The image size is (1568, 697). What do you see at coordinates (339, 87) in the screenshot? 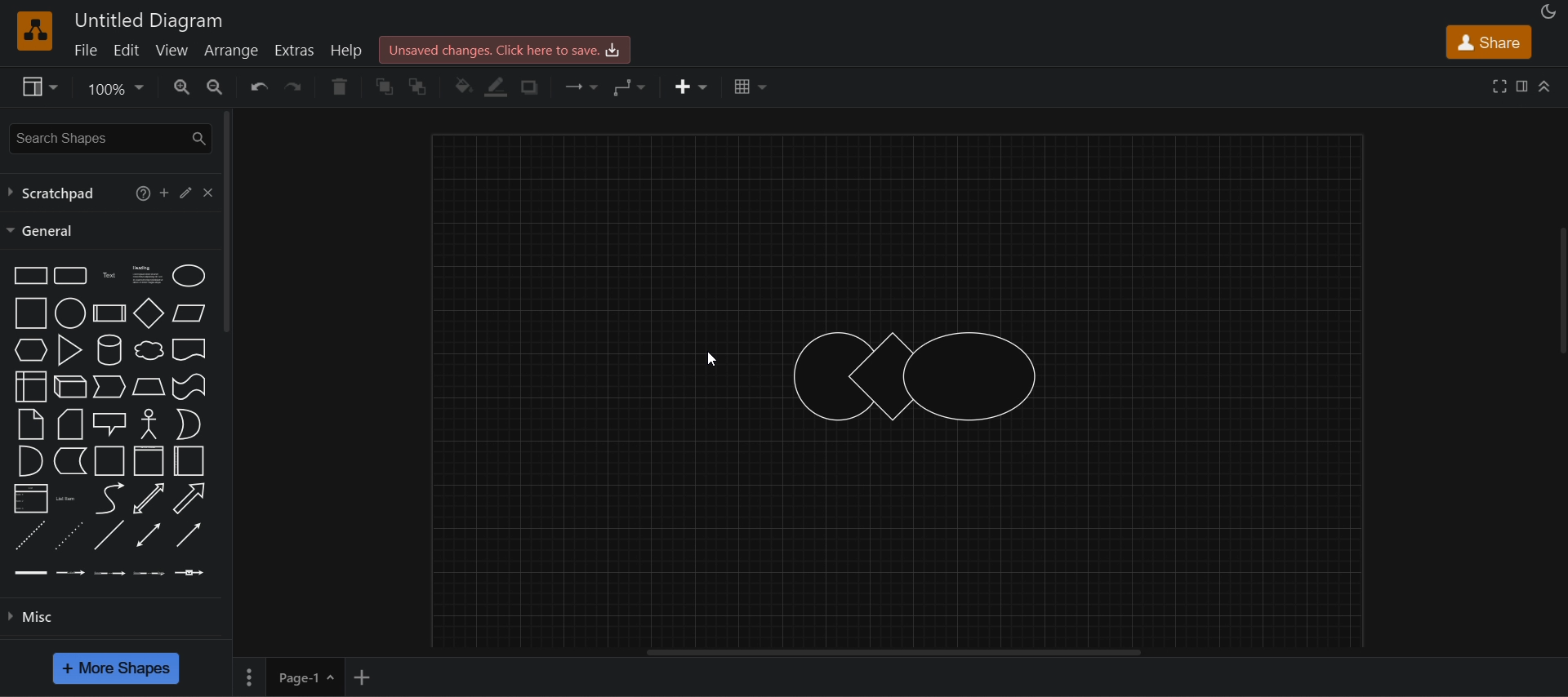
I see `delete` at bounding box center [339, 87].